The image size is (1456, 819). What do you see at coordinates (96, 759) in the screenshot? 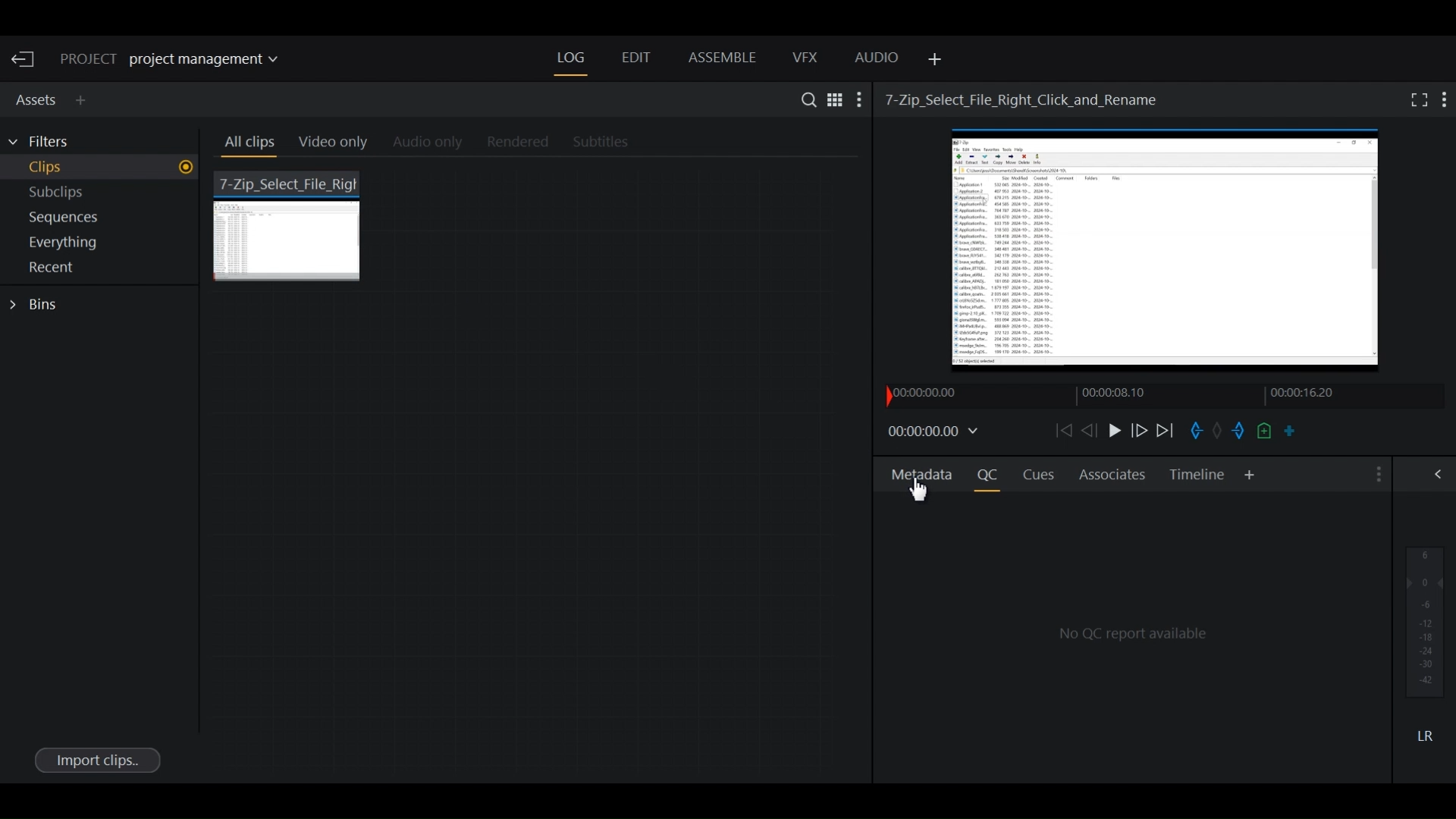
I see `Import clips` at bounding box center [96, 759].